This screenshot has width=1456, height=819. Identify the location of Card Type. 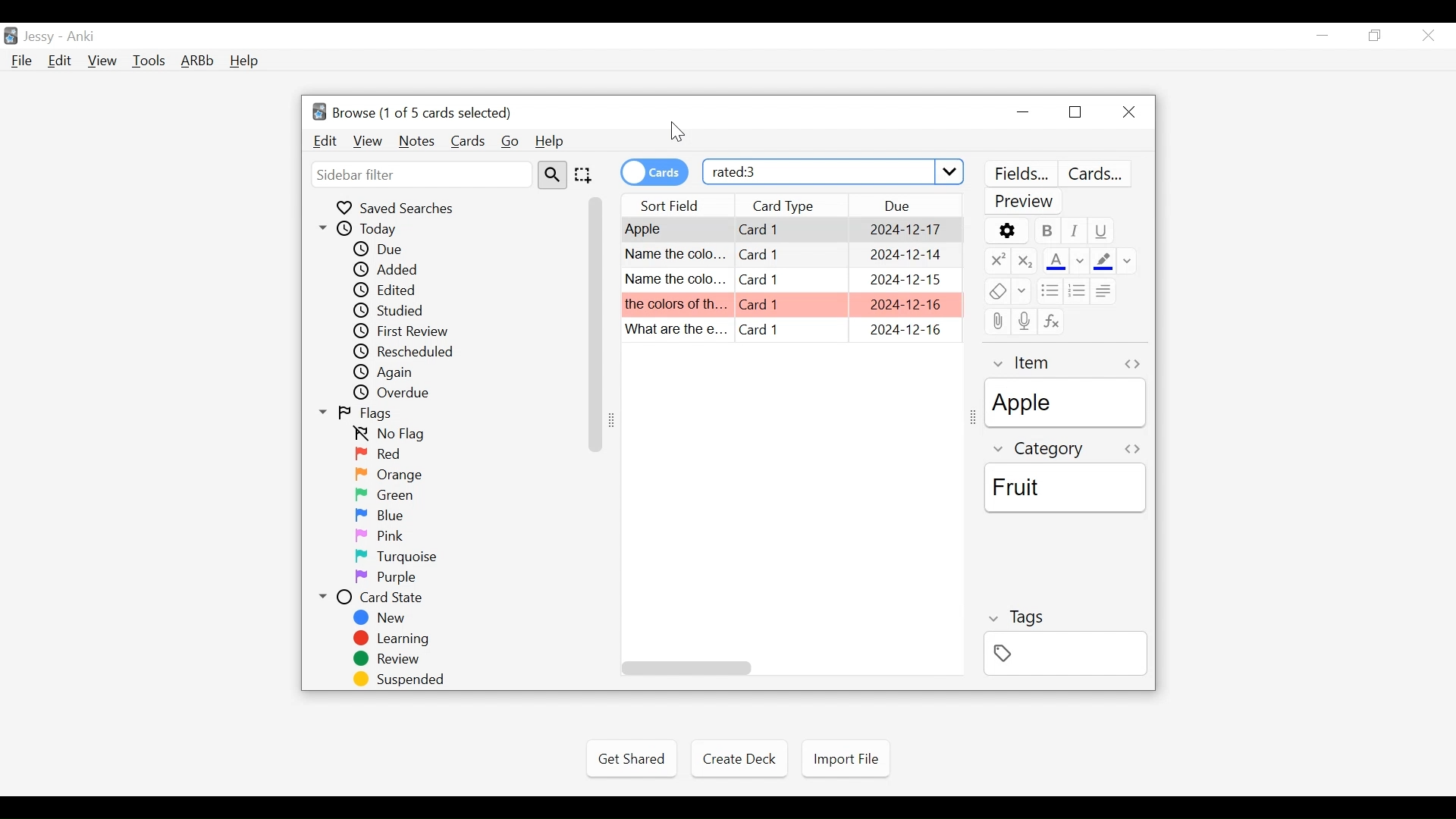
(791, 231).